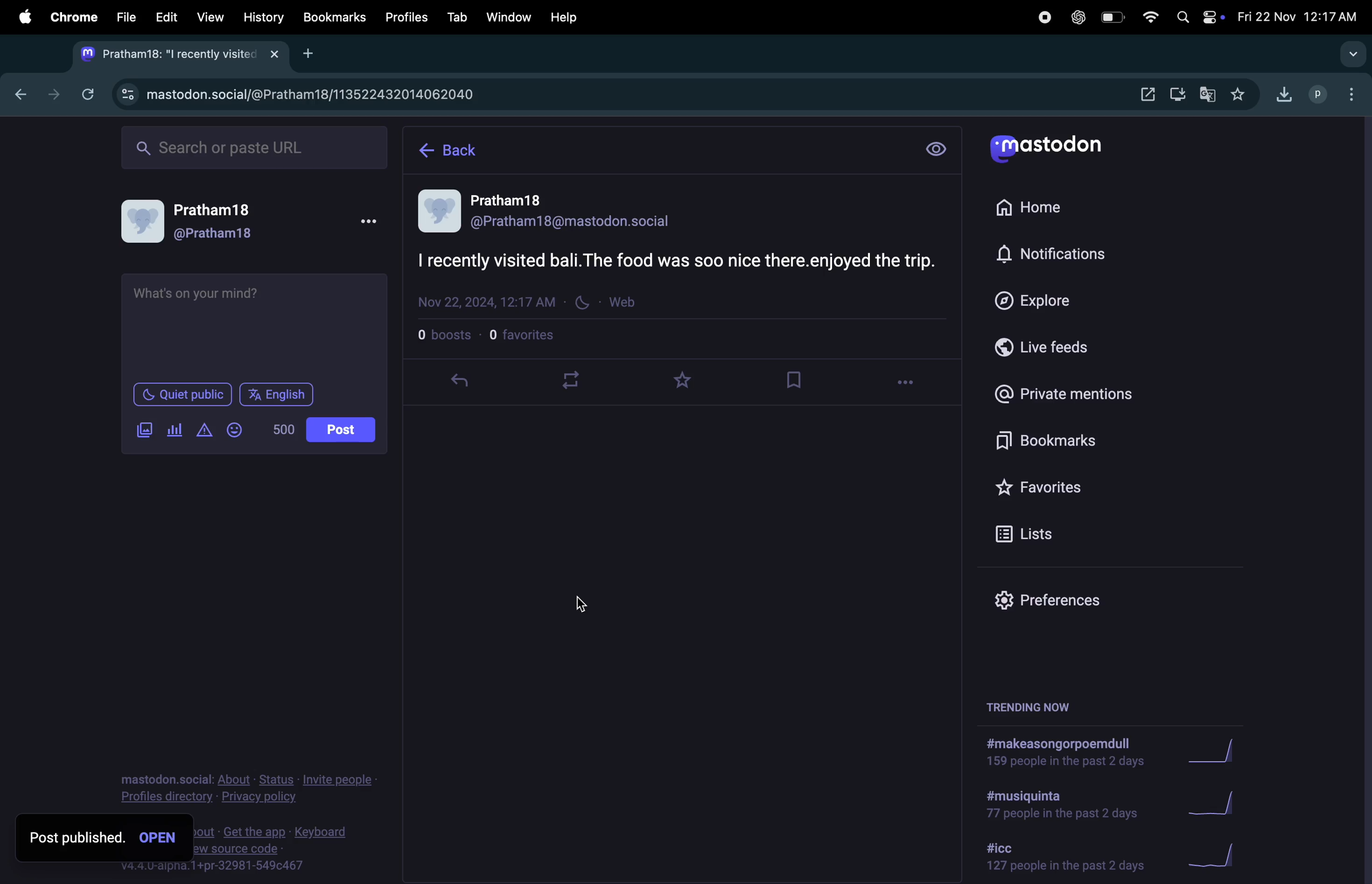 The image size is (1372, 884). I want to click on window, so click(509, 14).